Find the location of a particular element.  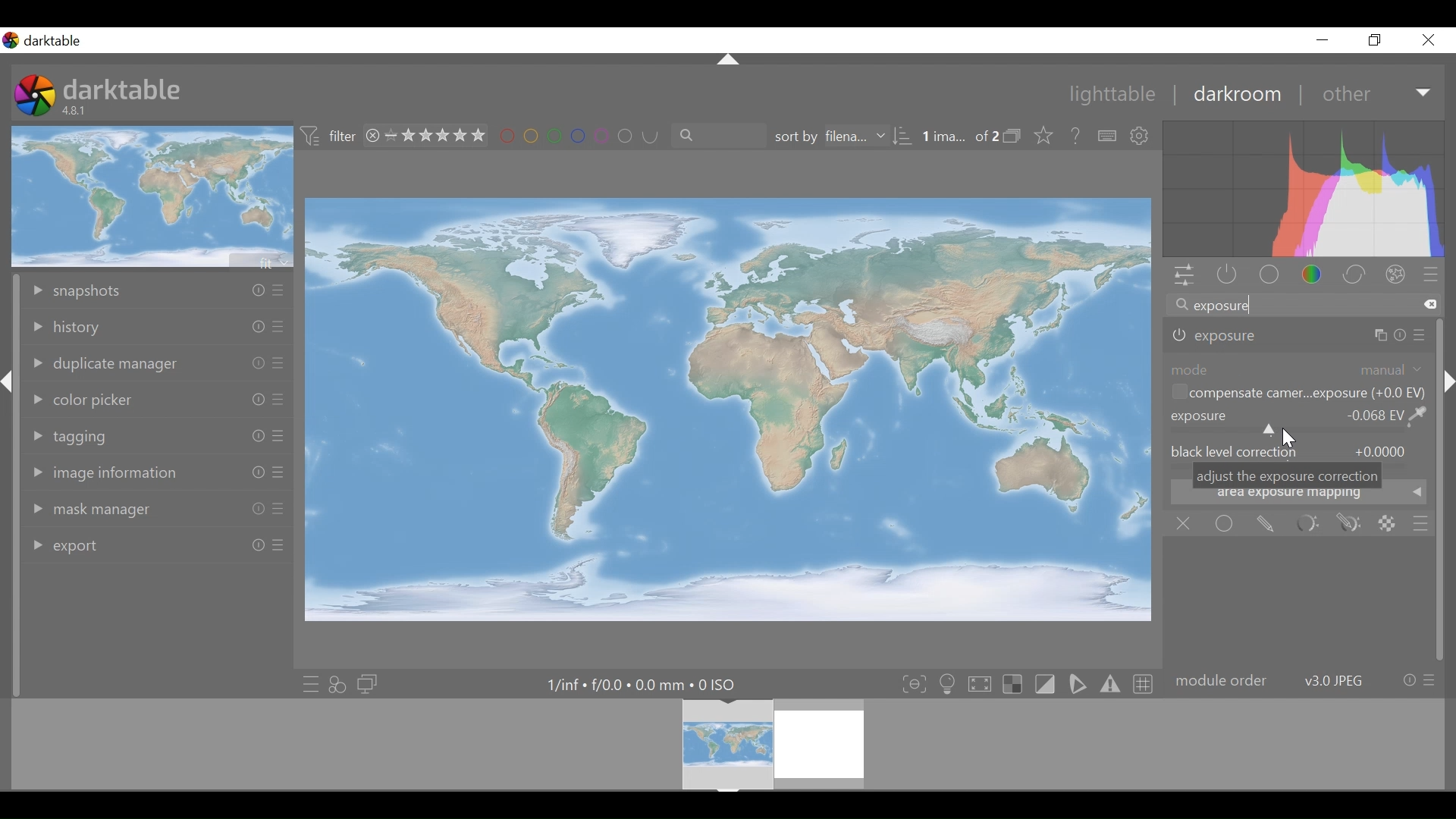

duplicate manager is located at coordinates (157, 366).